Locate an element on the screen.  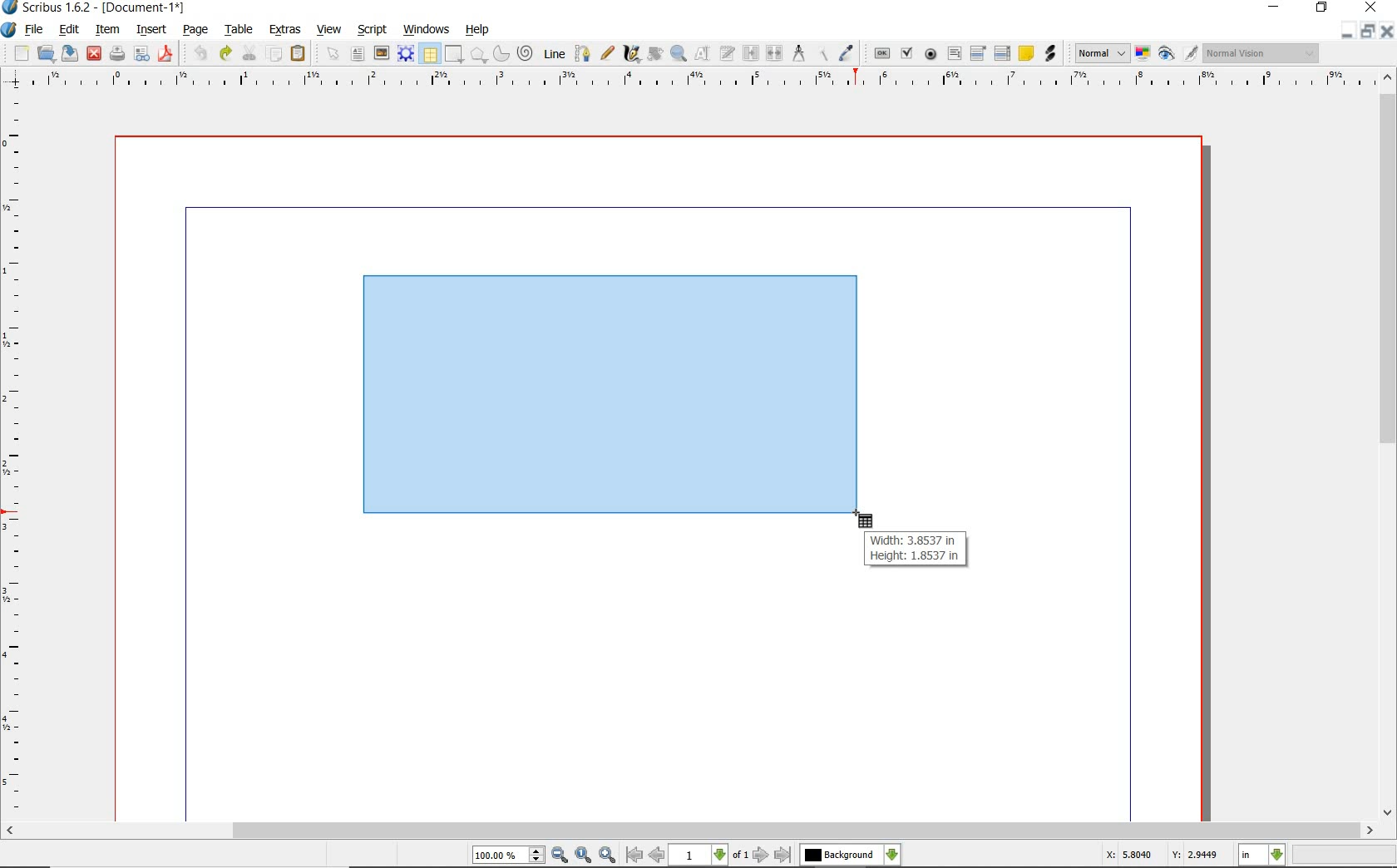
X: 5.8040 Y: 2.9449 is located at coordinates (1161, 856).